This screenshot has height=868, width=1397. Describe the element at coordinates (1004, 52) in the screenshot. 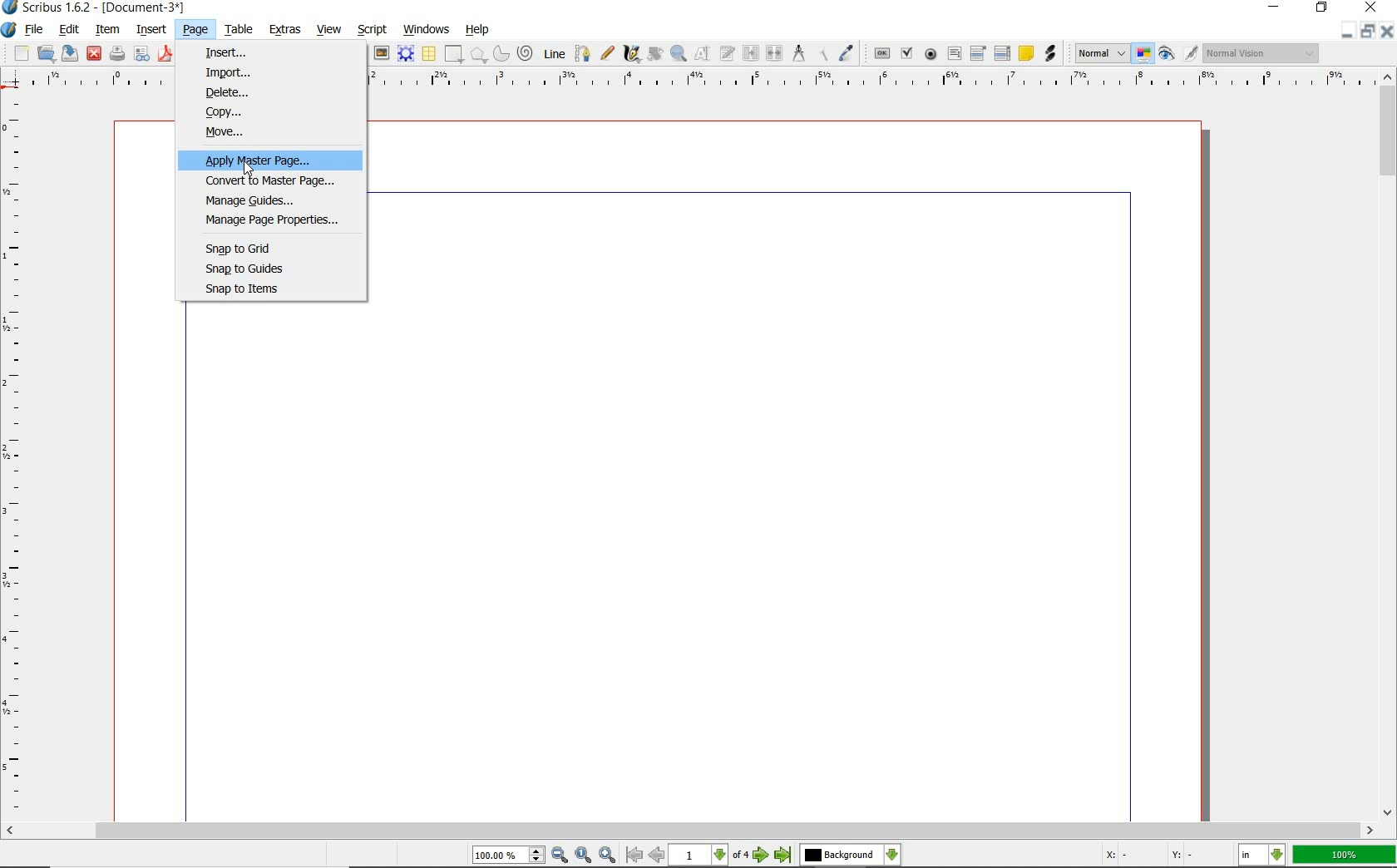

I see `pdf list box` at that location.